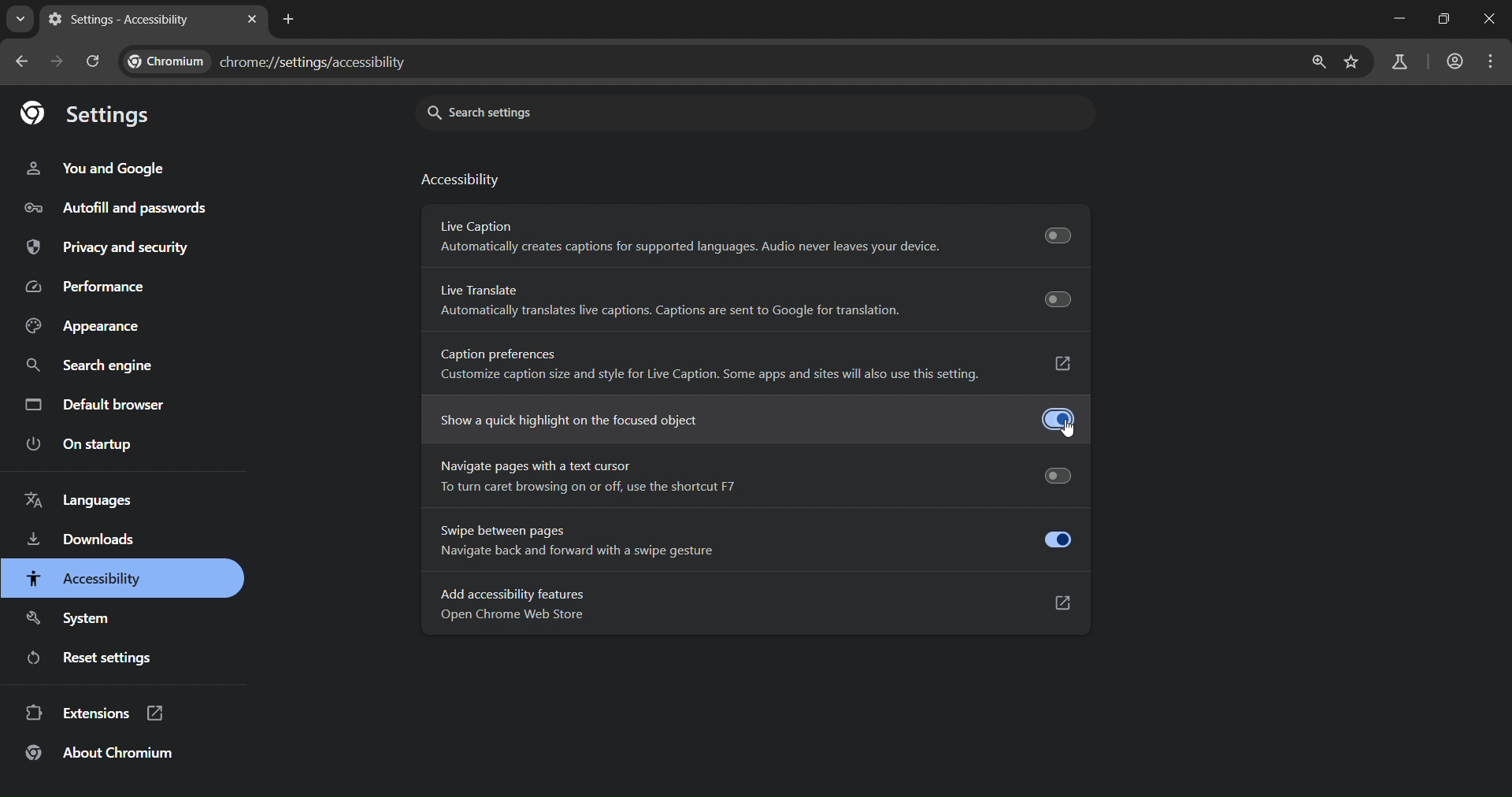 The image size is (1512, 797). Describe the element at coordinates (672, 302) in the screenshot. I see `live translate` at that location.